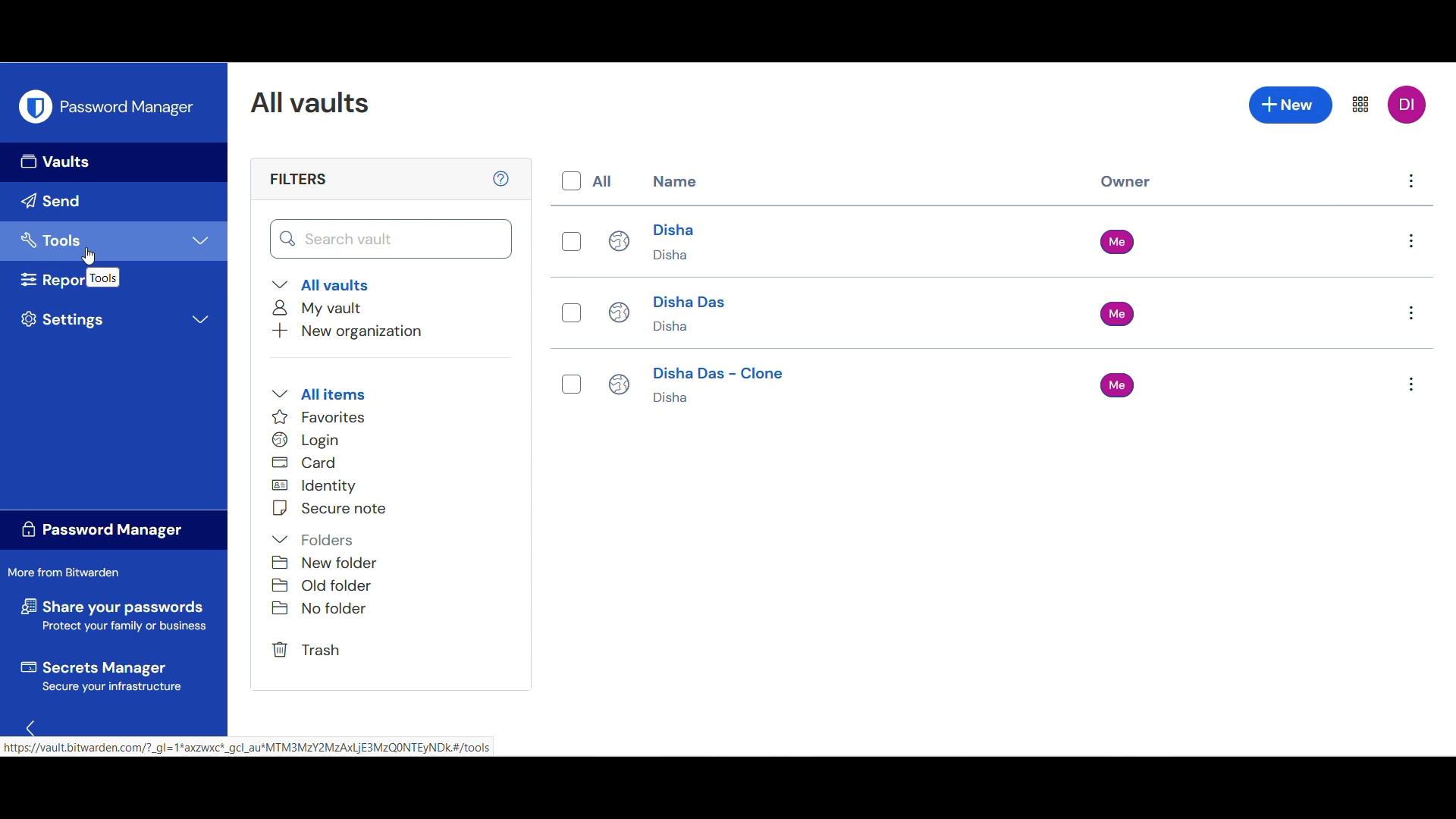  What do you see at coordinates (877, 308) in the screenshot?
I see `Details with respect to each column` at bounding box center [877, 308].